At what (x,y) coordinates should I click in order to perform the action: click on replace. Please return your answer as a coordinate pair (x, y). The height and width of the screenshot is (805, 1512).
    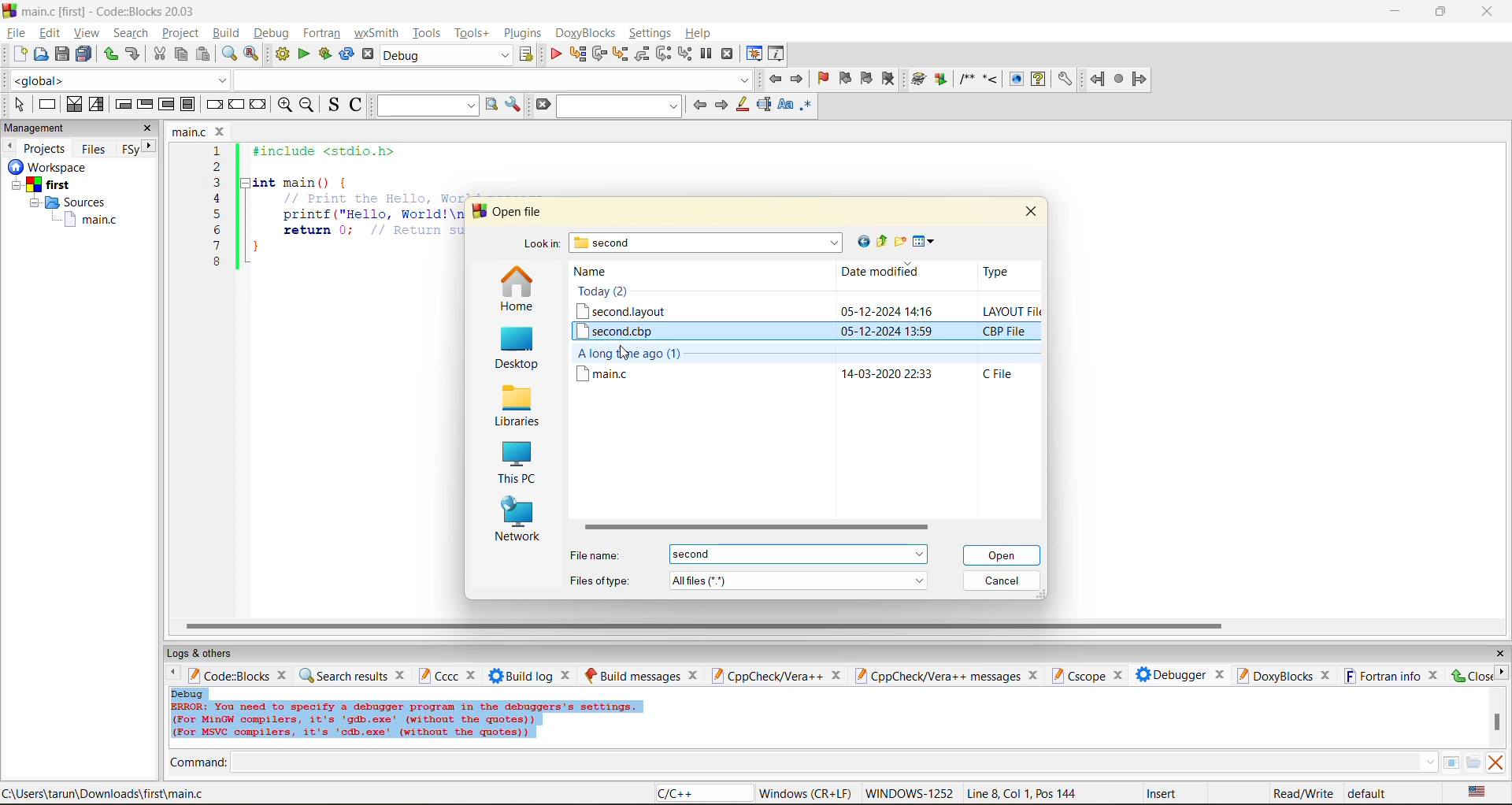
    Looking at the image, I should click on (252, 54).